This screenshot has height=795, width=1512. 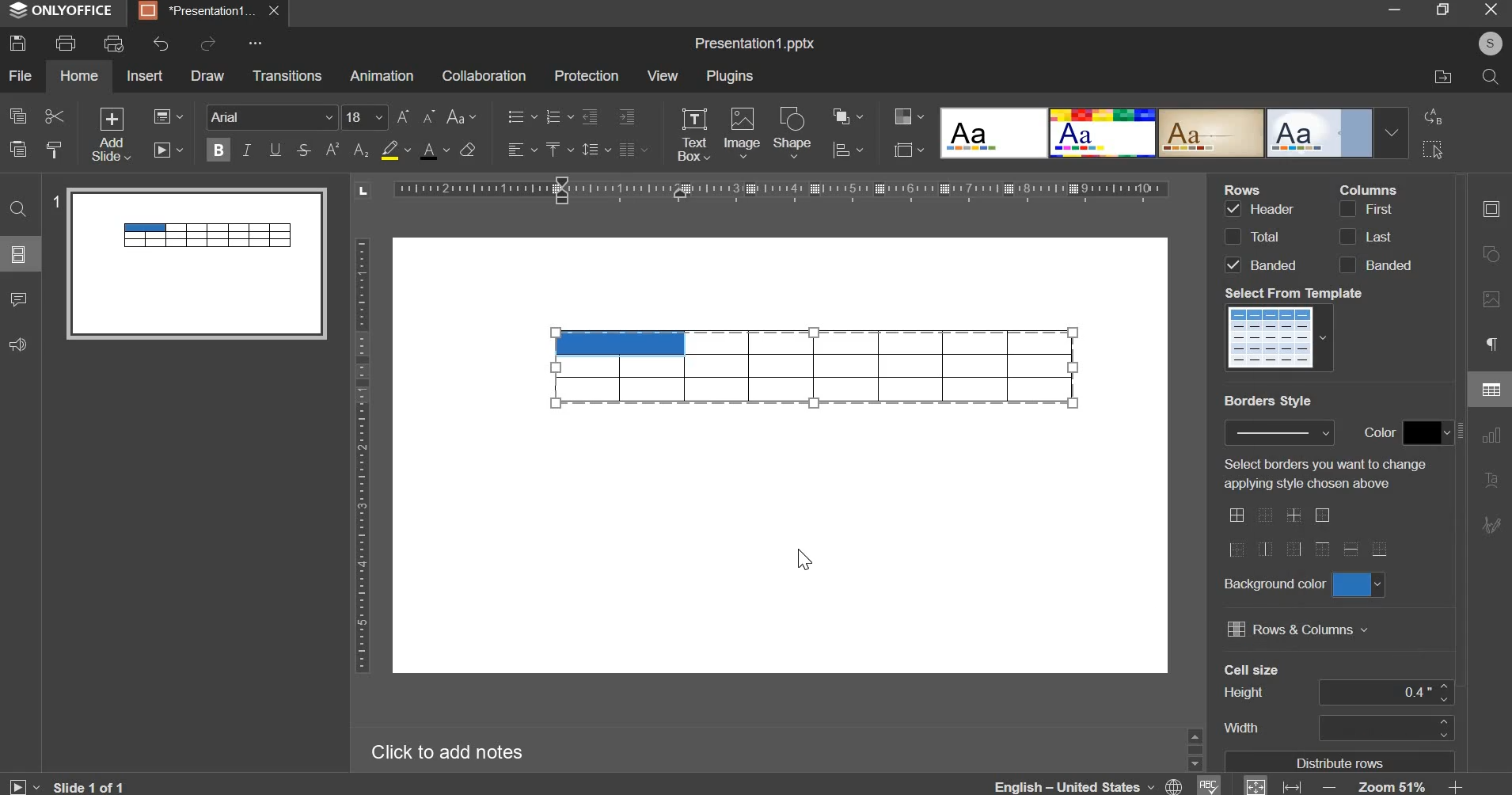 What do you see at coordinates (731, 76) in the screenshot?
I see `plugins` at bounding box center [731, 76].